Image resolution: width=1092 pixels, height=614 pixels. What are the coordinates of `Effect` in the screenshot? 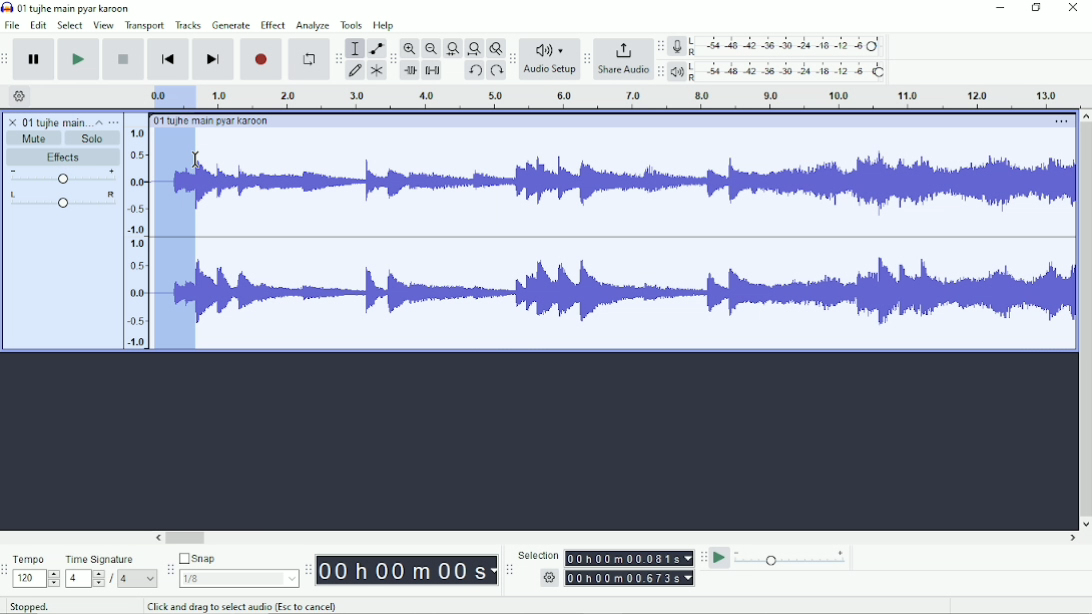 It's located at (272, 24).